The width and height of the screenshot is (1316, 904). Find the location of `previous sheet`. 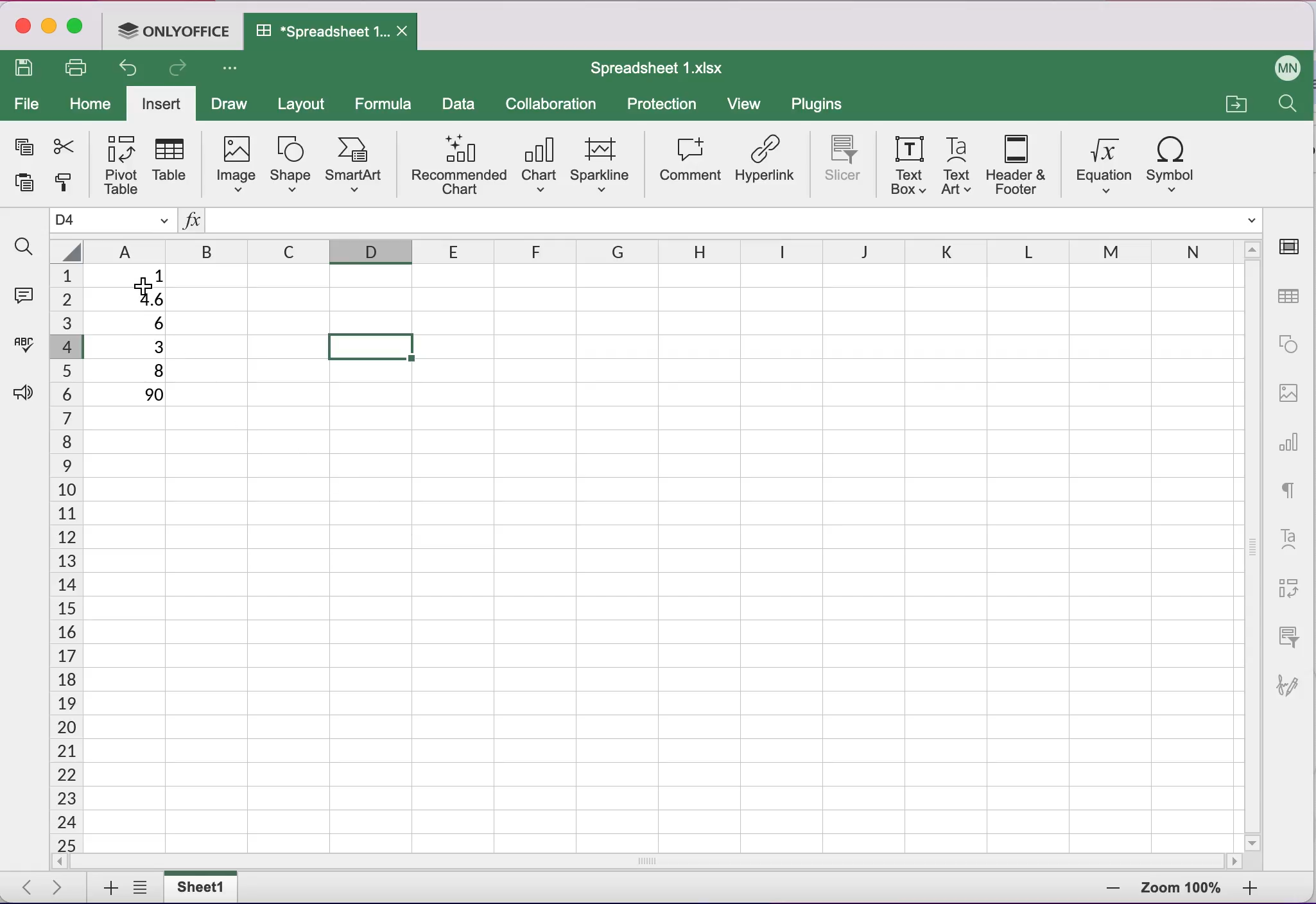

previous sheet is located at coordinates (30, 889).